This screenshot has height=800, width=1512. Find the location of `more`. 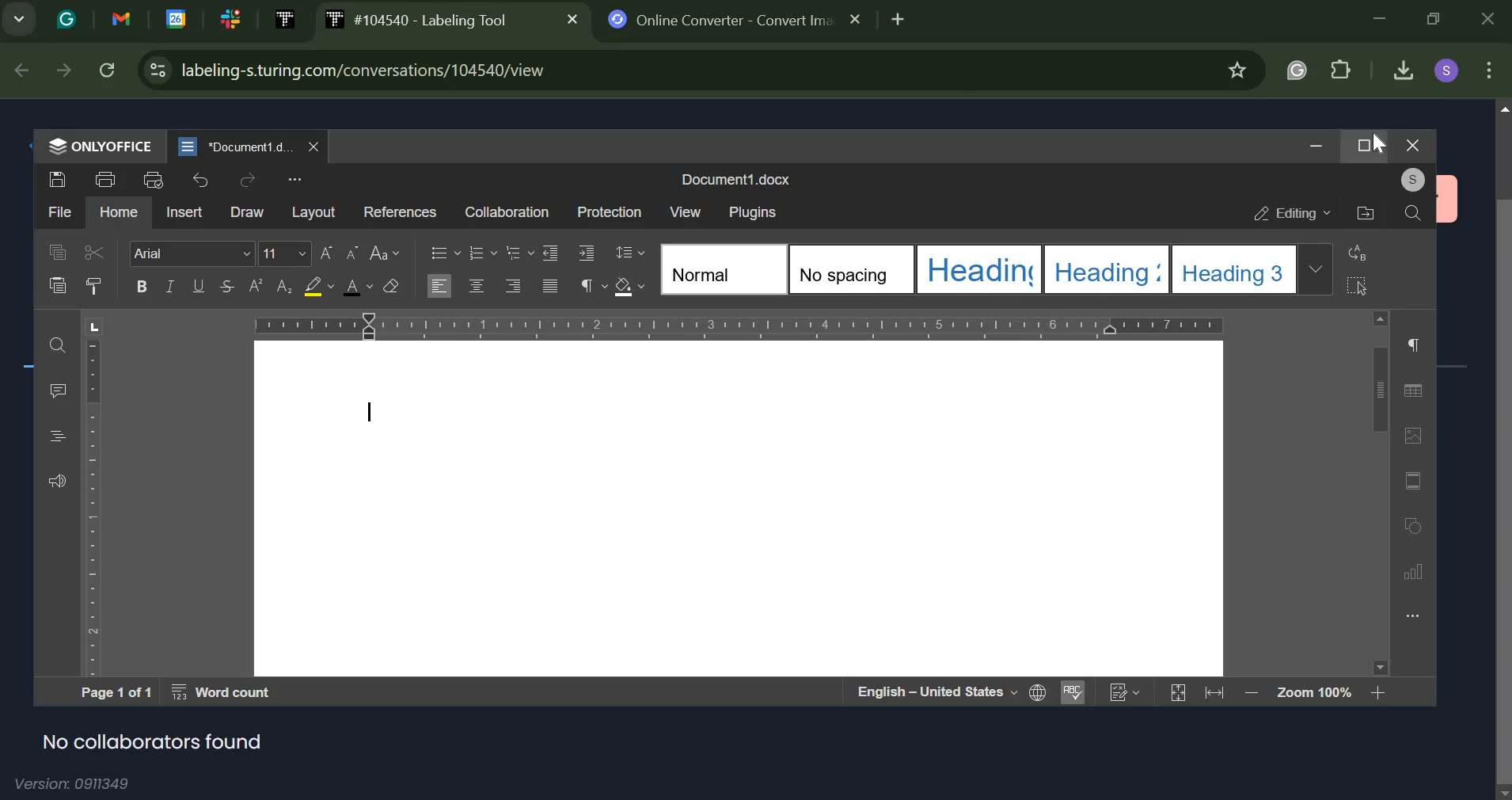

more is located at coordinates (293, 180).